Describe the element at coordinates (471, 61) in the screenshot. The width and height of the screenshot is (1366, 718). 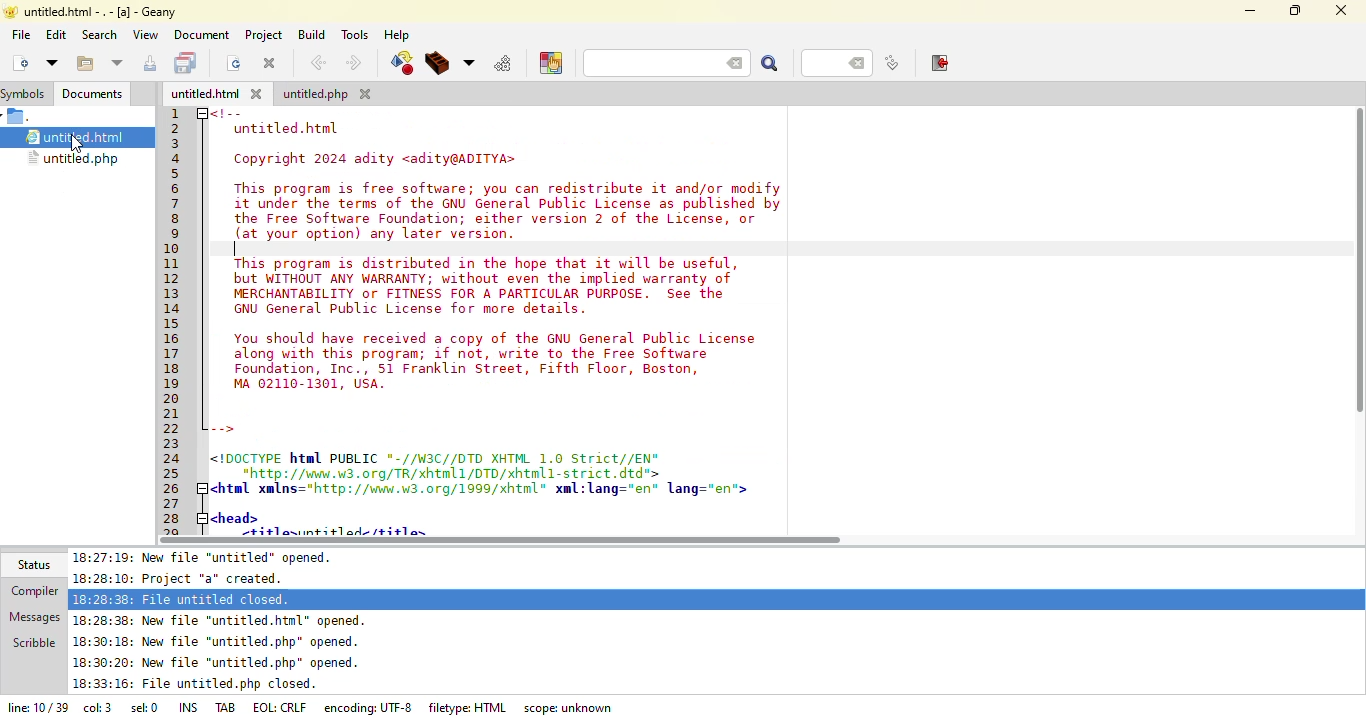
I see `choose more` at that location.